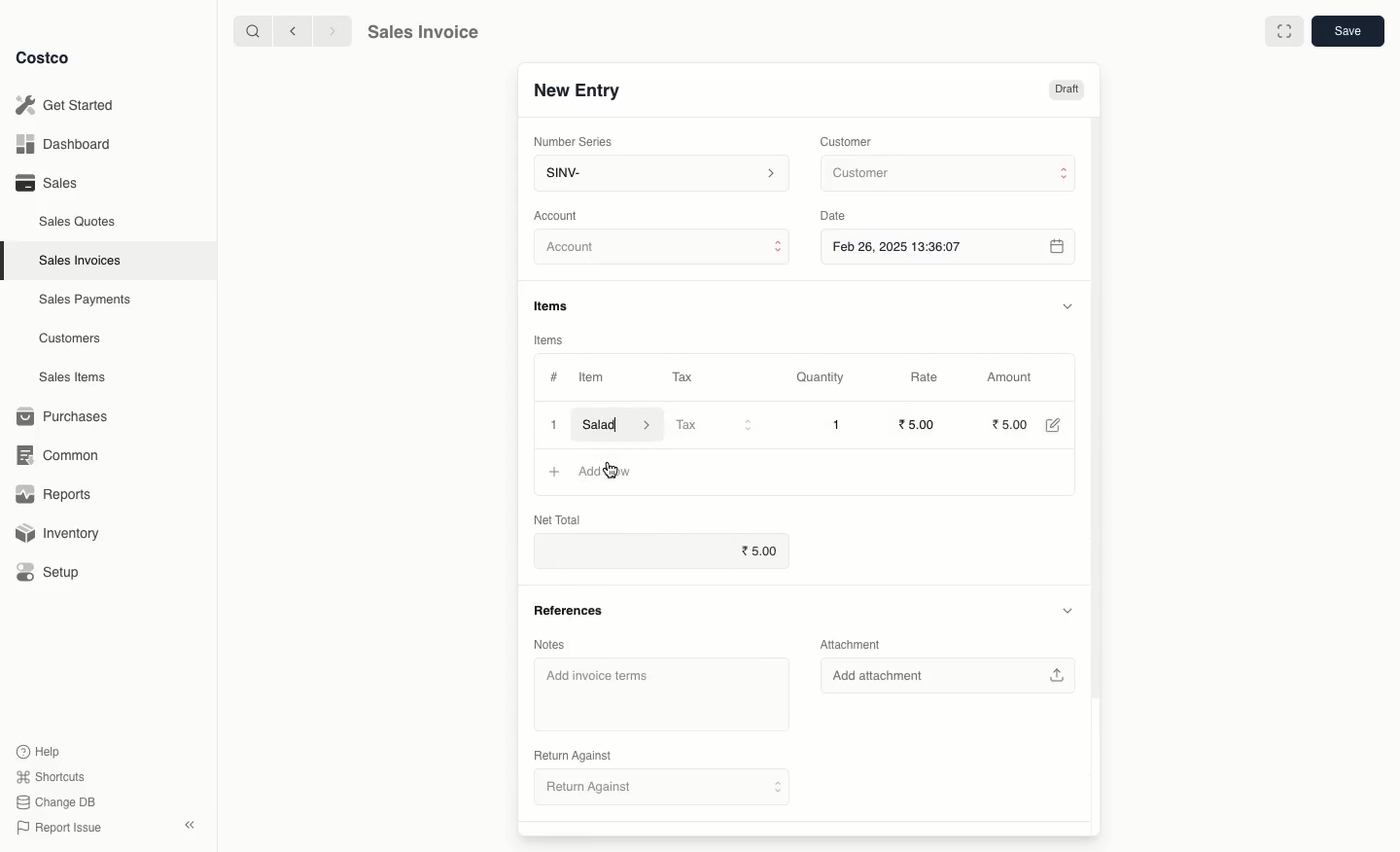 The image size is (1400, 852). Describe the element at coordinates (617, 424) in the screenshot. I see `Salad` at that location.